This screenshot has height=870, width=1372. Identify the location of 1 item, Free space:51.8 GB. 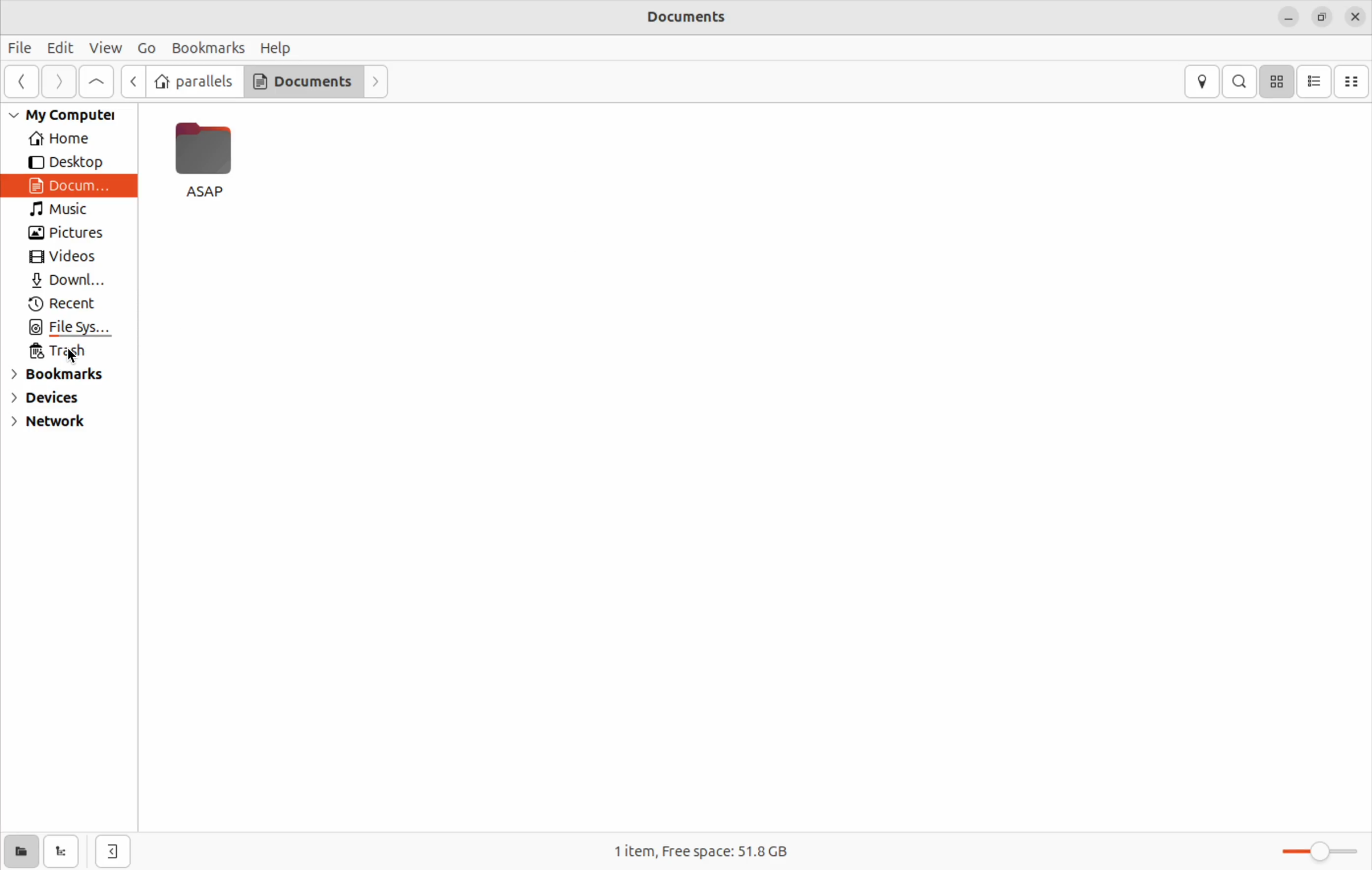
(720, 851).